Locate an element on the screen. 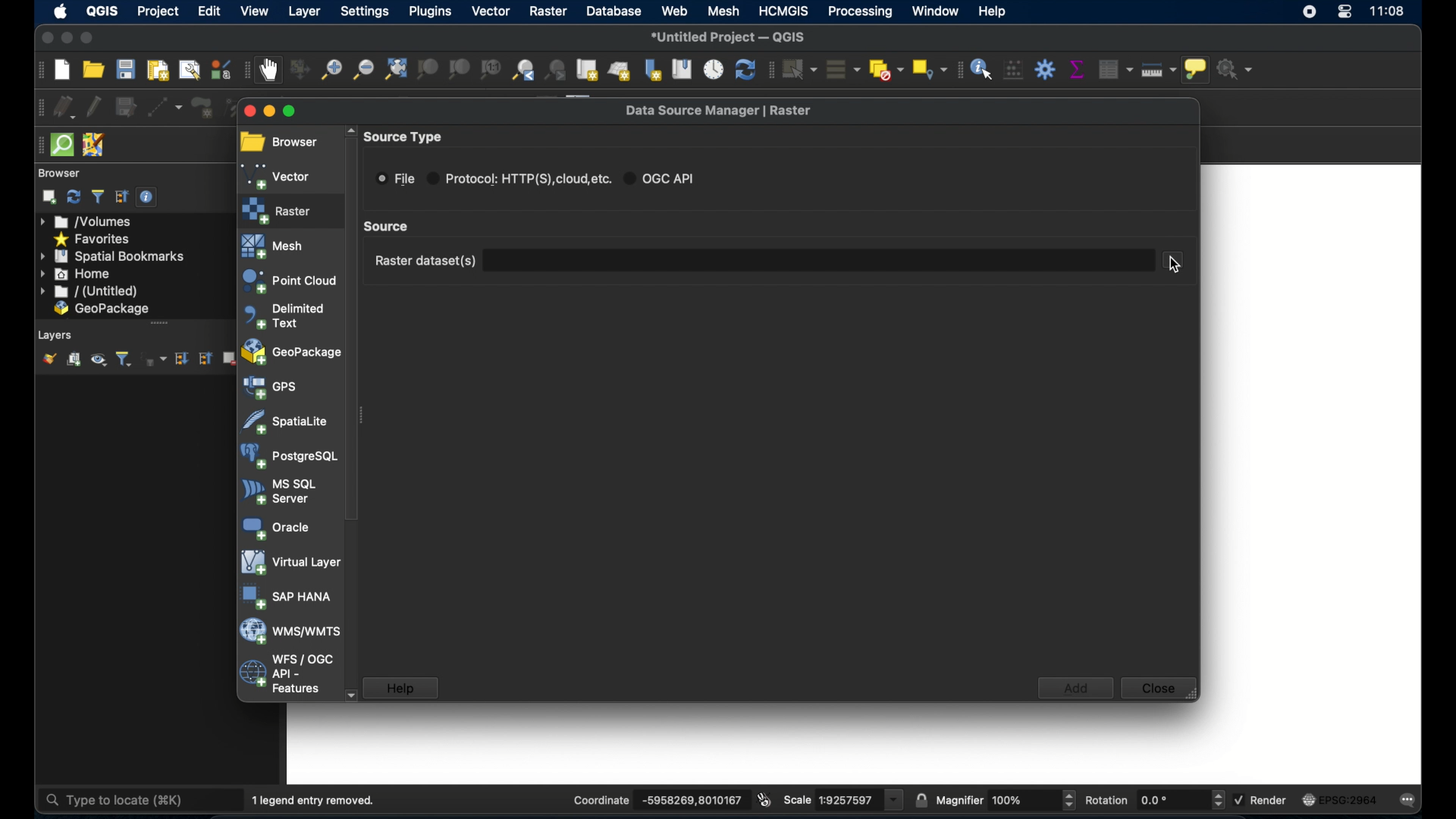 The image size is (1456, 819). mesh is located at coordinates (274, 247).